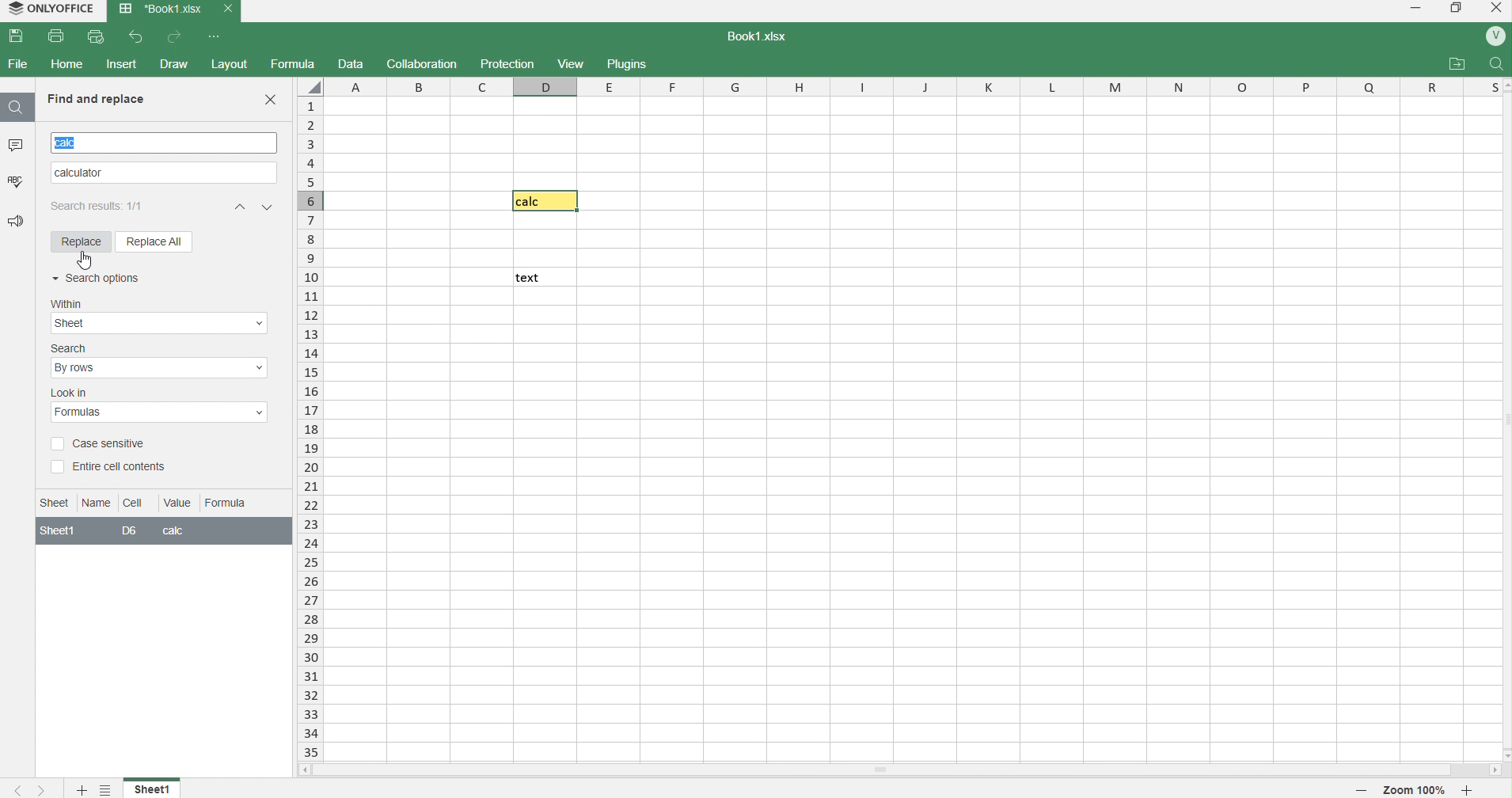 This screenshot has height=798, width=1512. What do you see at coordinates (1503, 752) in the screenshot?
I see `move down` at bounding box center [1503, 752].